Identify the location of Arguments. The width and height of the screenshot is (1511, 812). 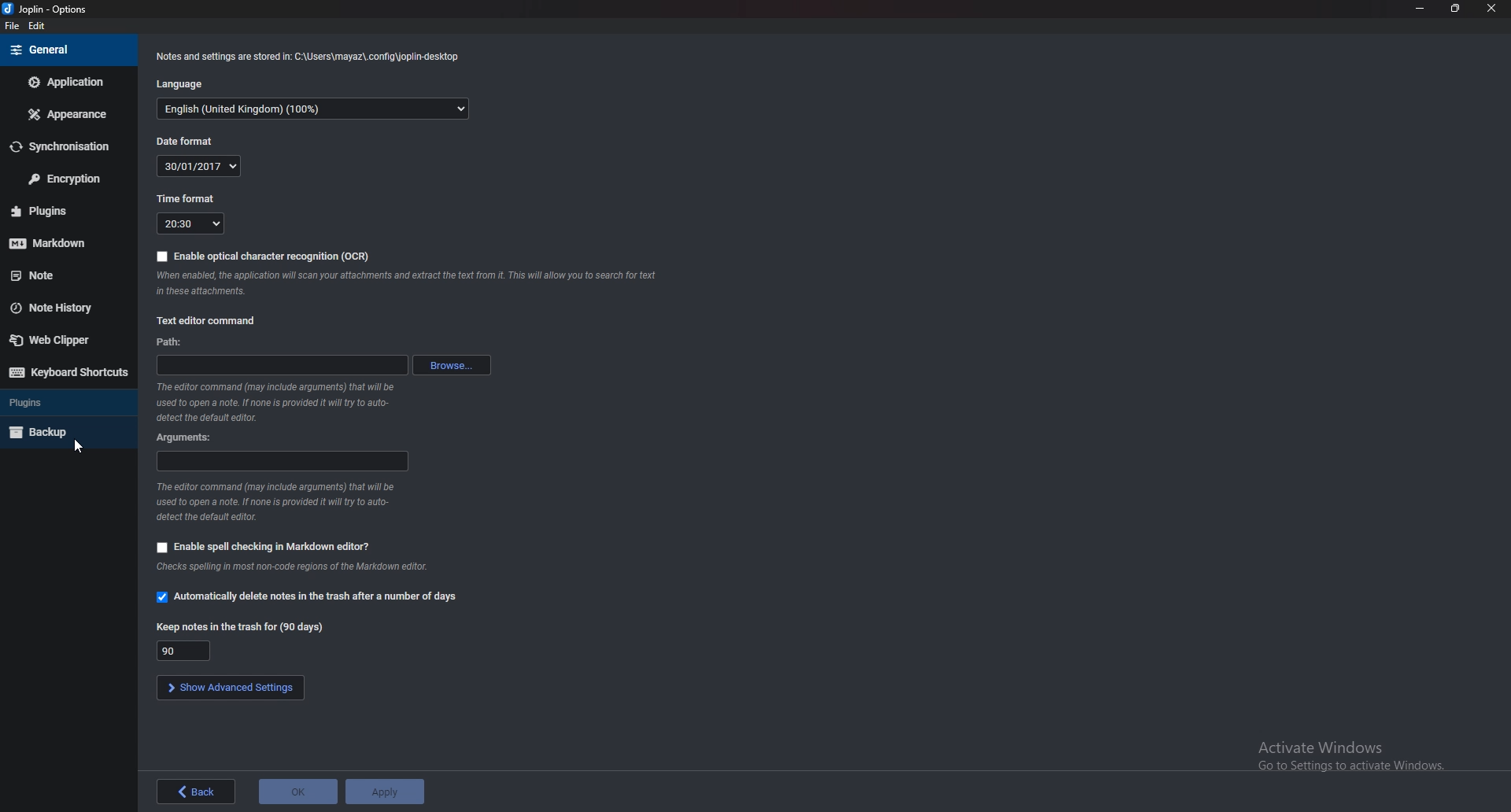
(281, 461).